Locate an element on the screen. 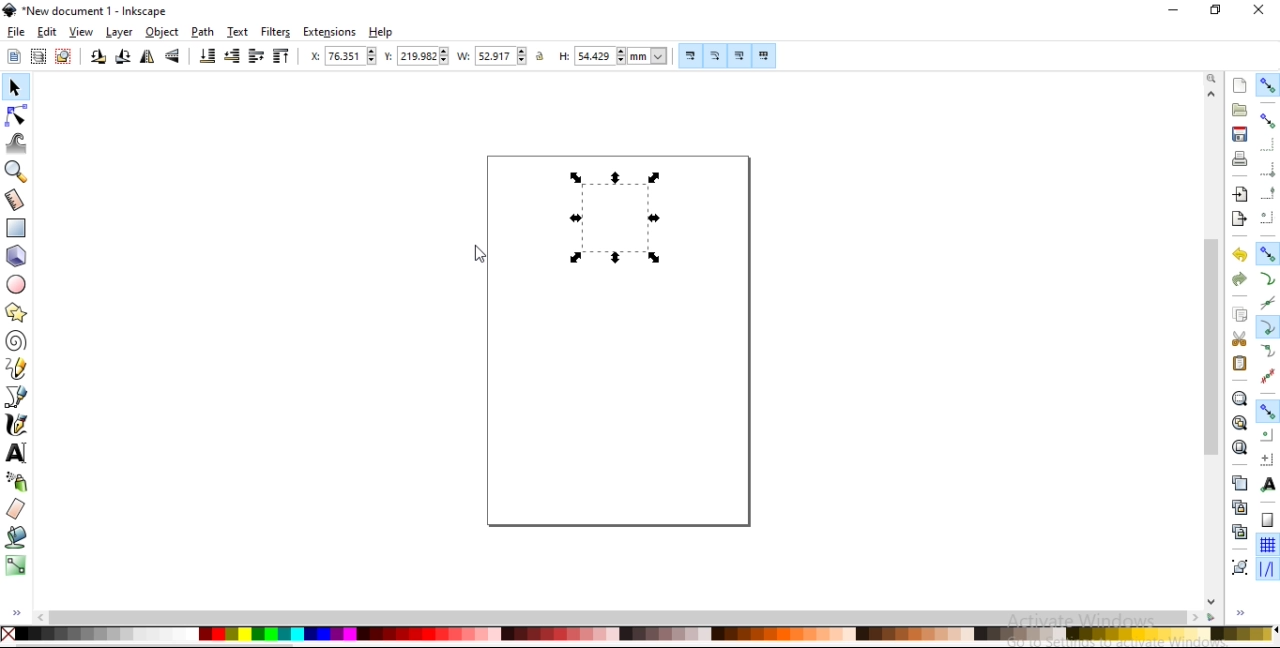  snap bounding boxes is located at coordinates (1267, 119).